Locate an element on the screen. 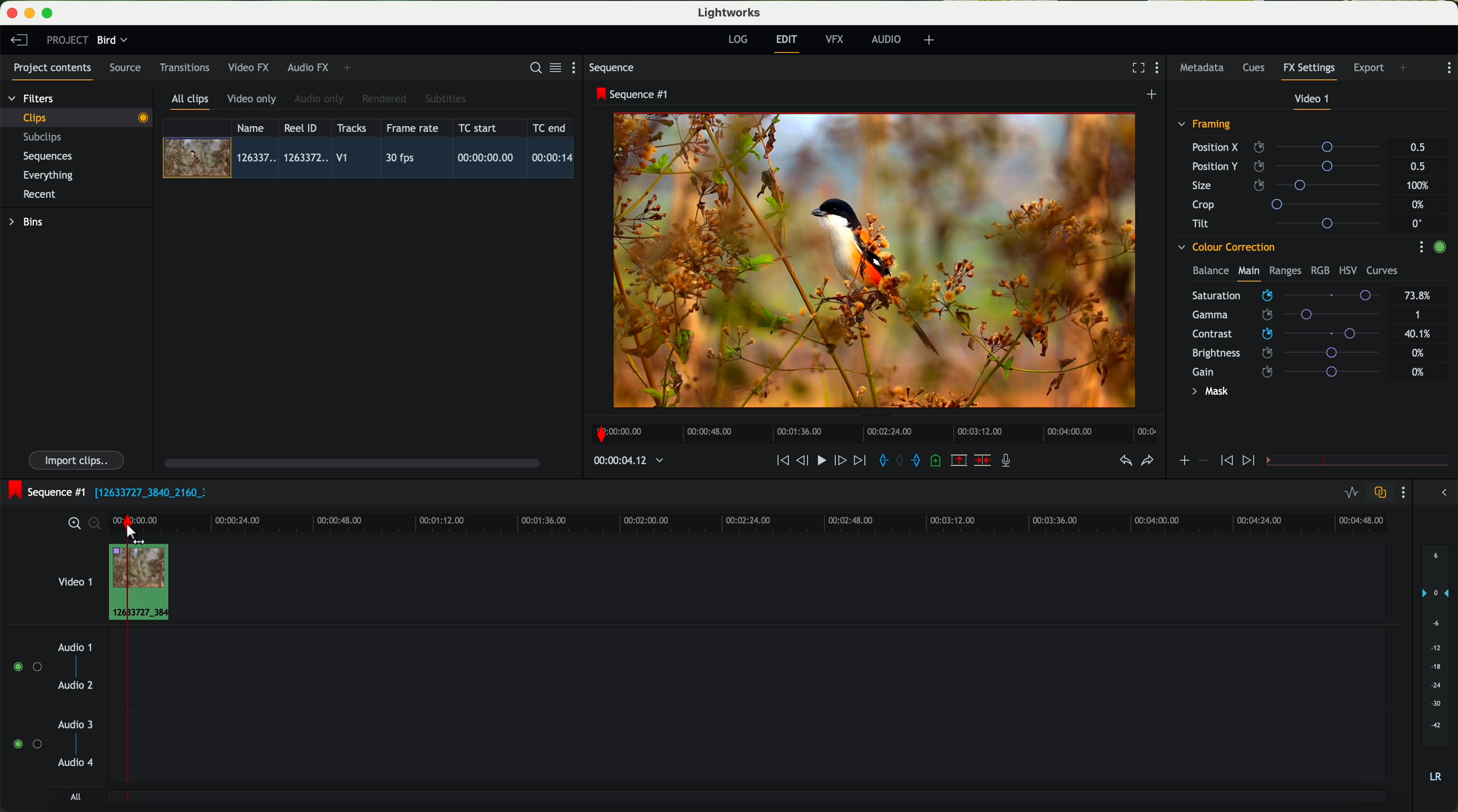 Image resolution: width=1458 pixels, height=812 pixels. undo is located at coordinates (1125, 461).